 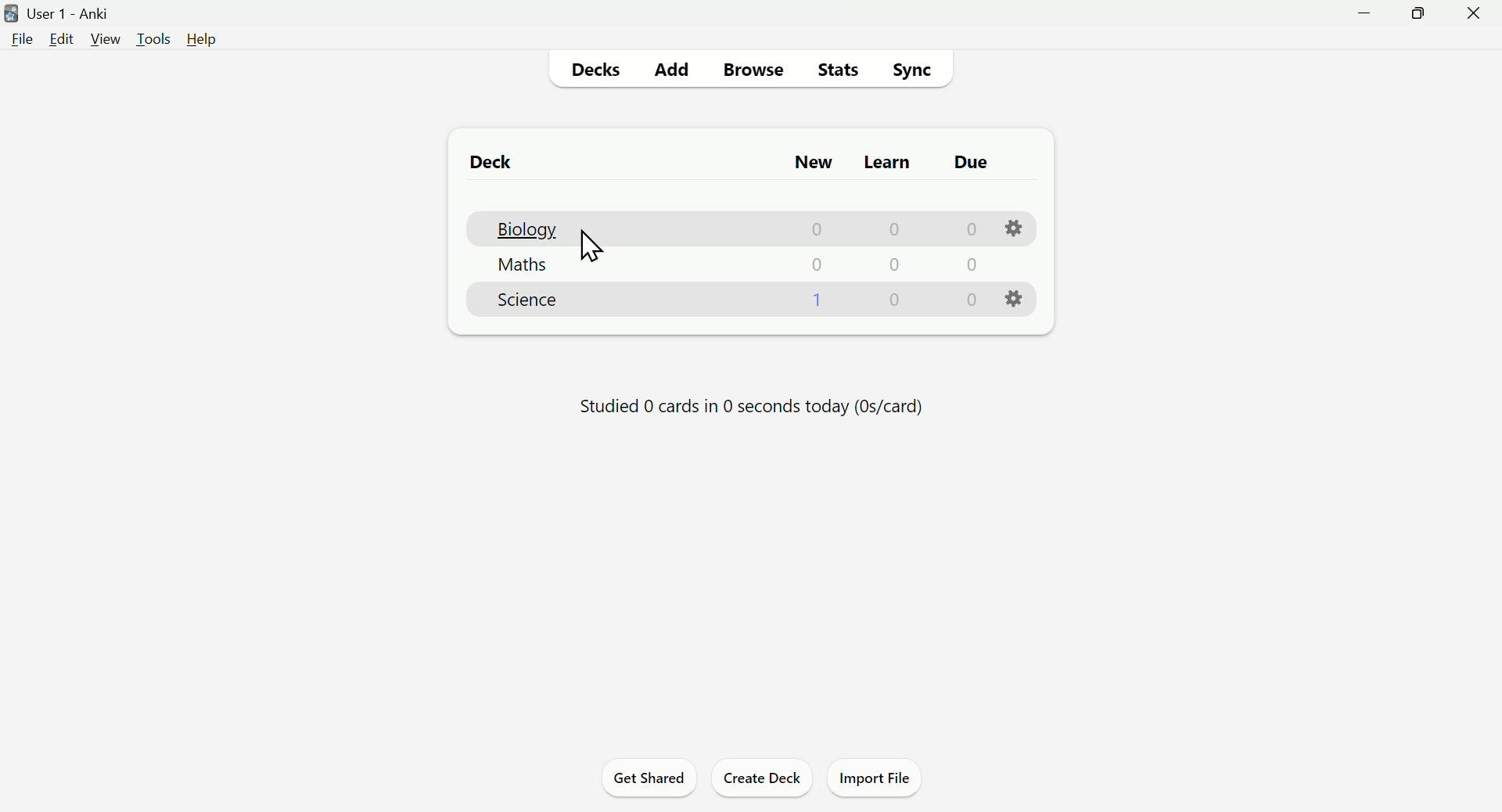 What do you see at coordinates (522, 228) in the screenshot?
I see `Biology` at bounding box center [522, 228].